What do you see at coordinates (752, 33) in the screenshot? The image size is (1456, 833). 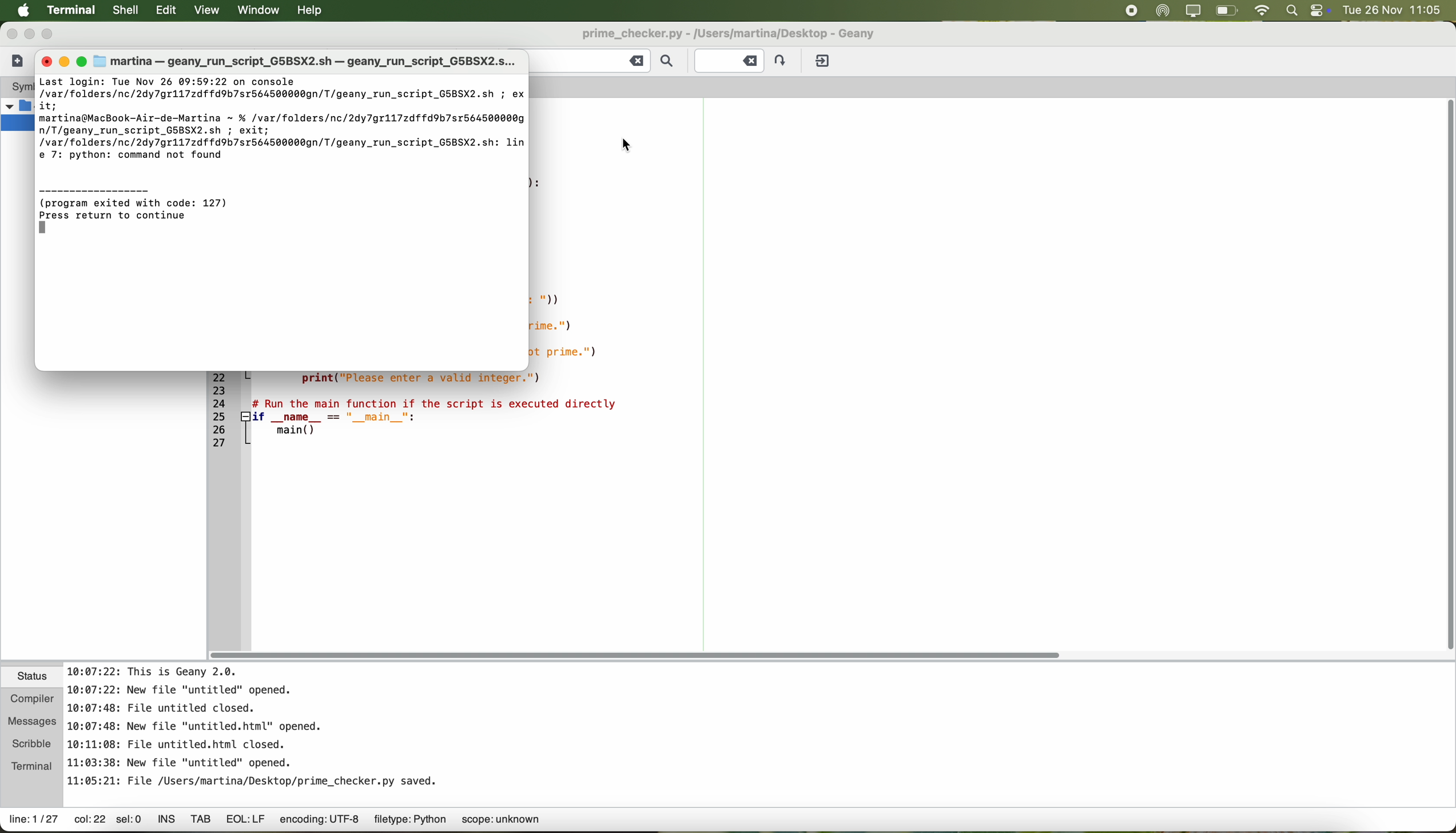 I see `file name` at bounding box center [752, 33].